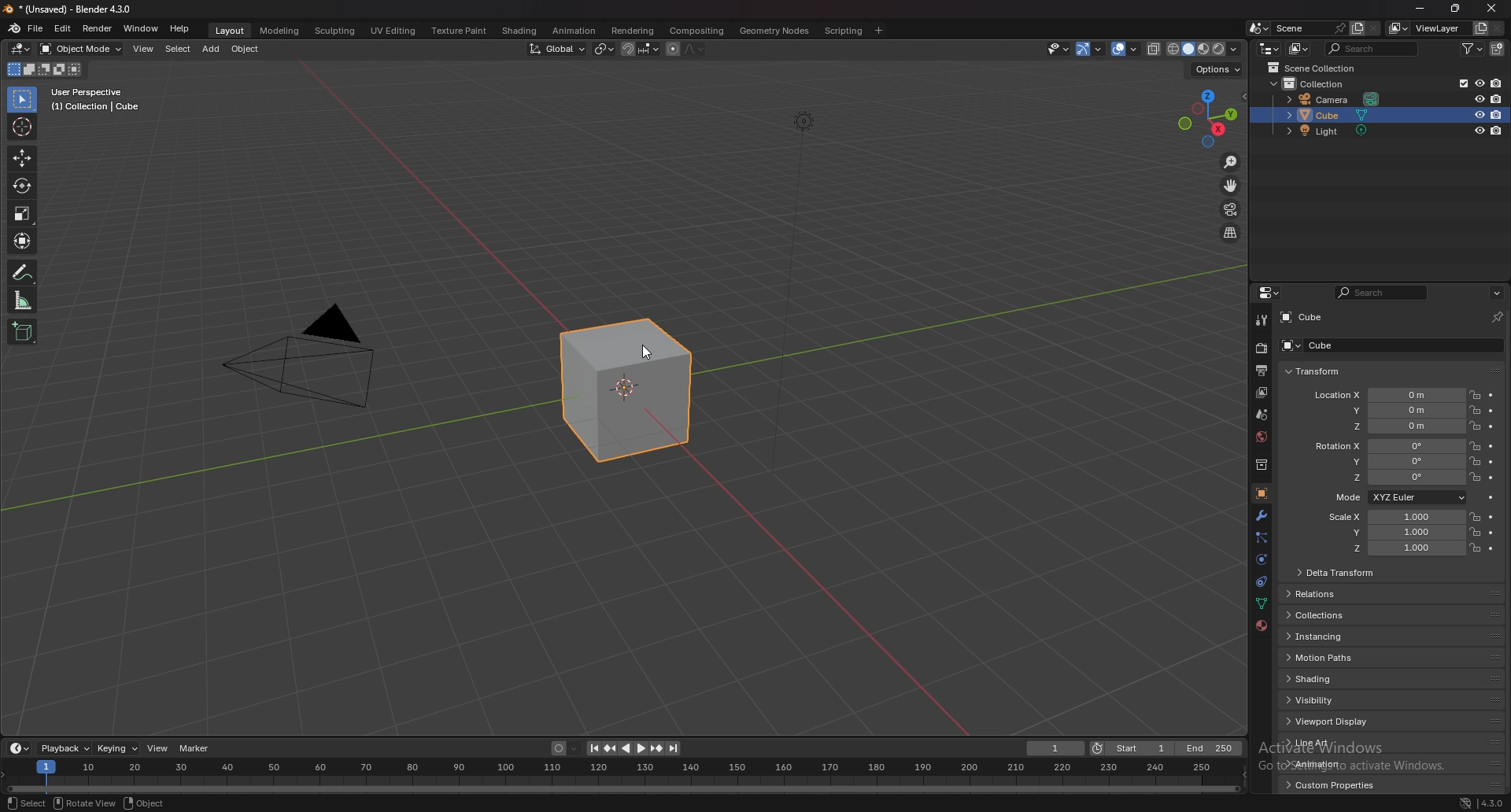 The height and width of the screenshot is (812, 1511). I want to click on world, so click(1261, 437).